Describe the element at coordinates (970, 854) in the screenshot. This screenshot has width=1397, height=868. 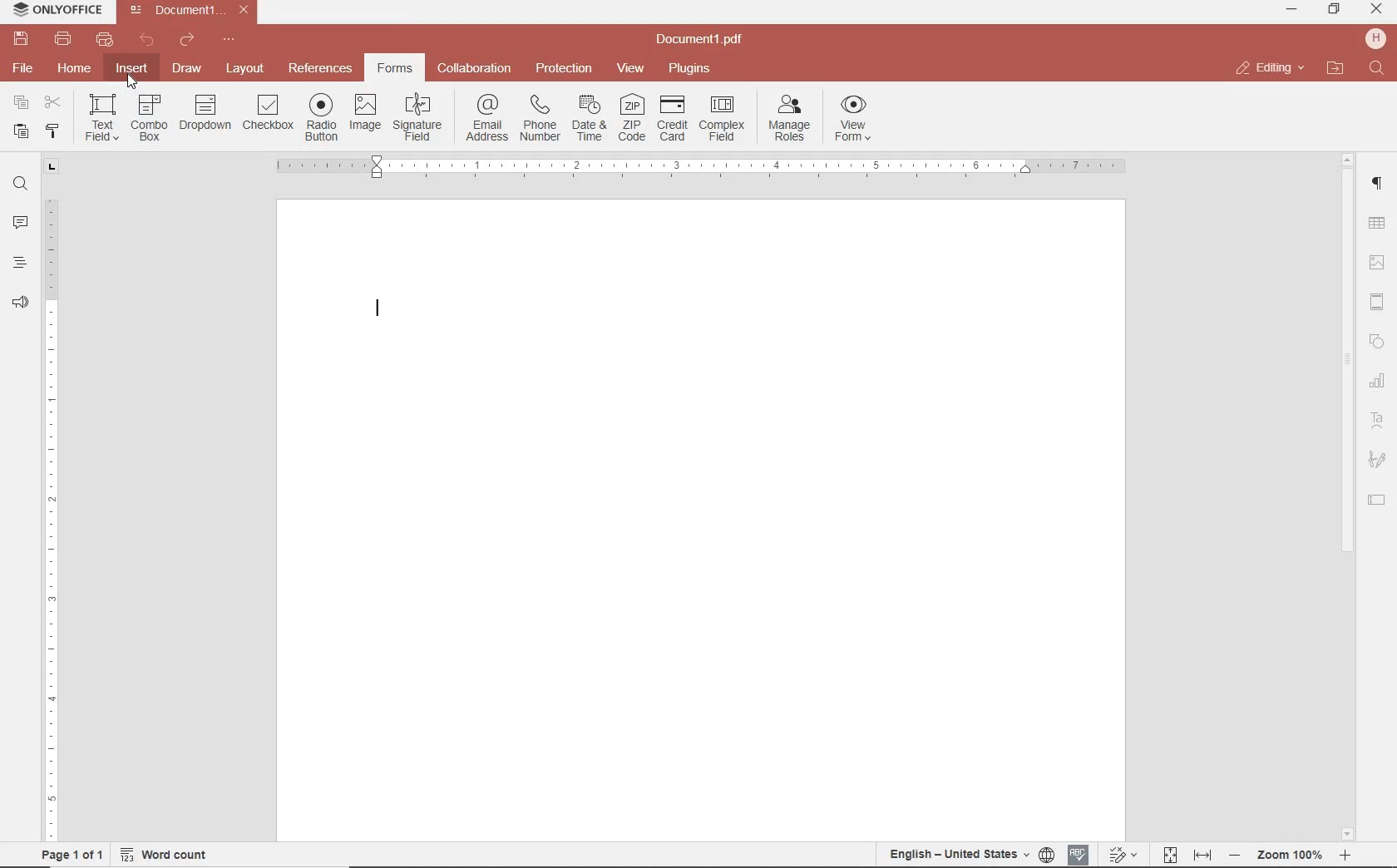
I see `set document language` at that location.